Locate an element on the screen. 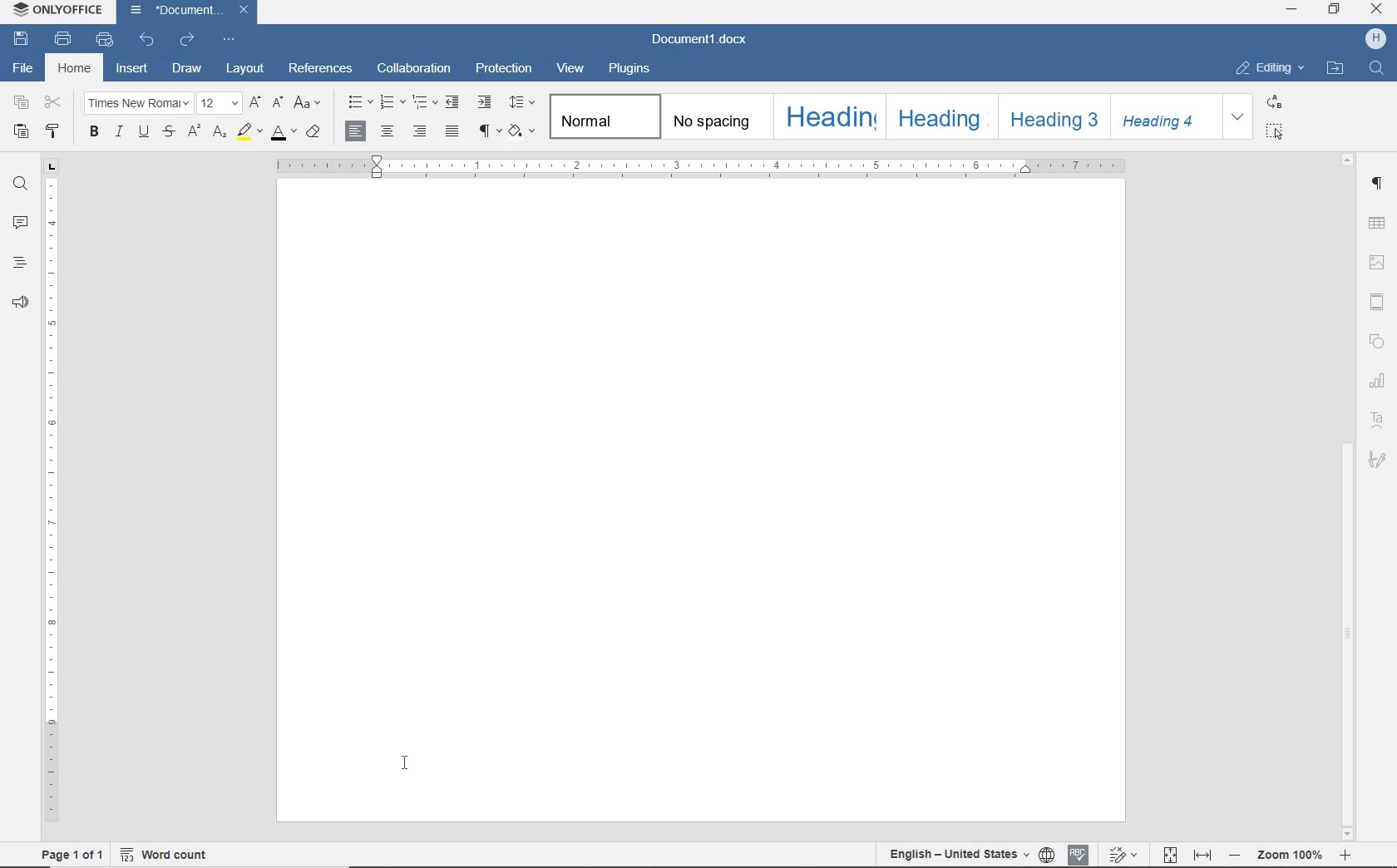 This screenshot has height=868, width=1397. table is located at coordinates (1380, 223).